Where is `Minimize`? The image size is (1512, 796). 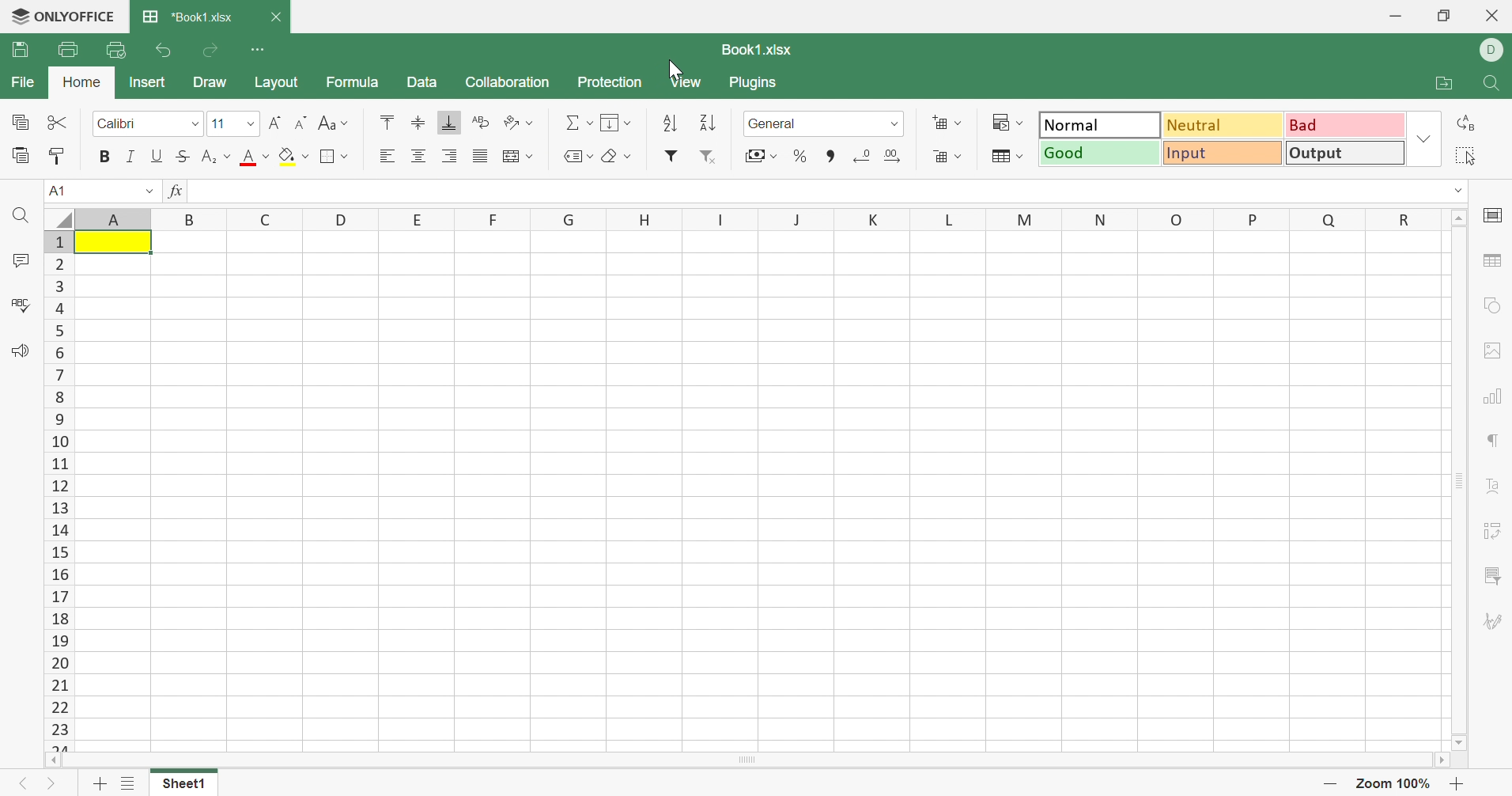 Minimize is located at coordinates (1394, 16).